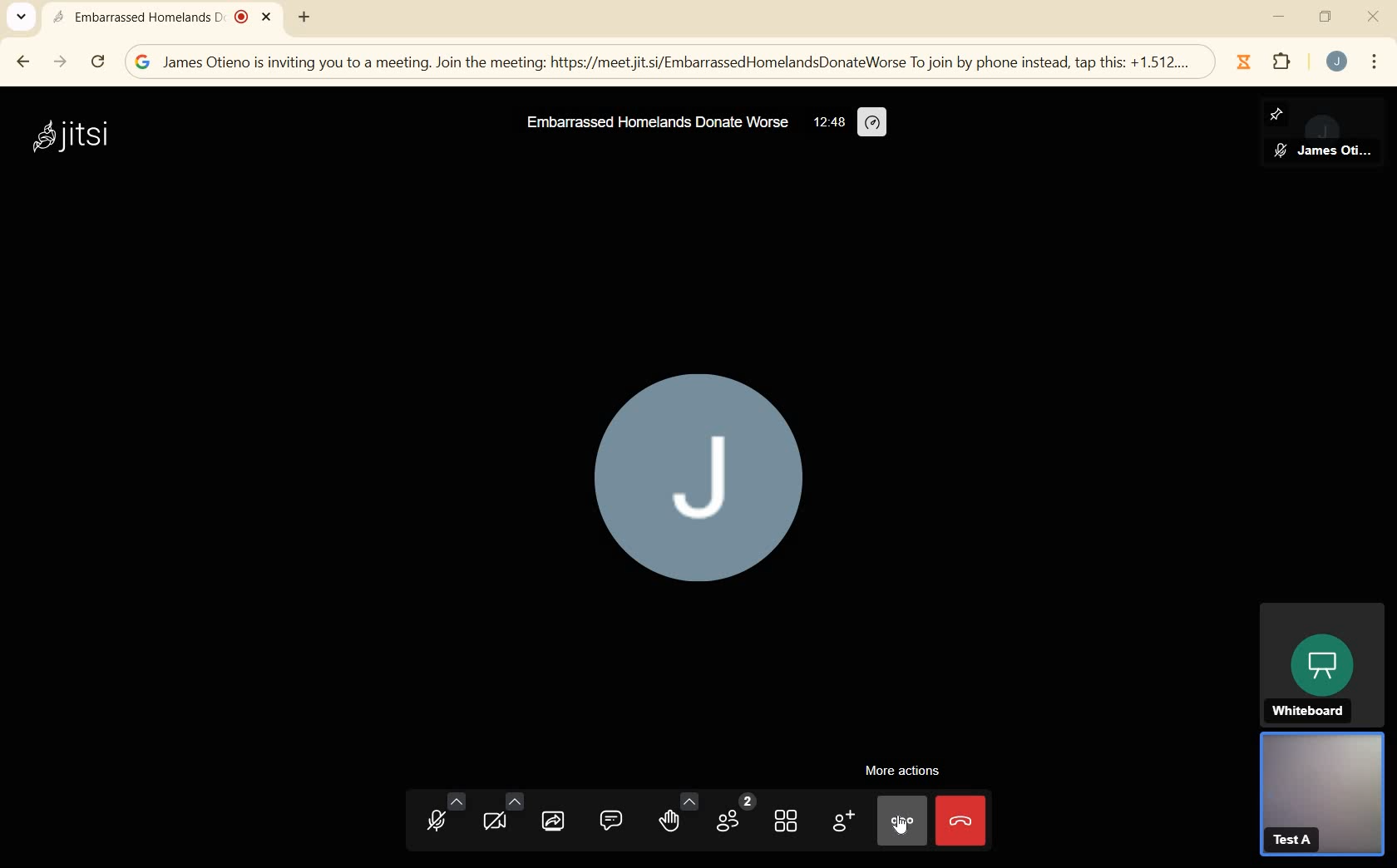  I want to click on invite people, so click(844, 823).